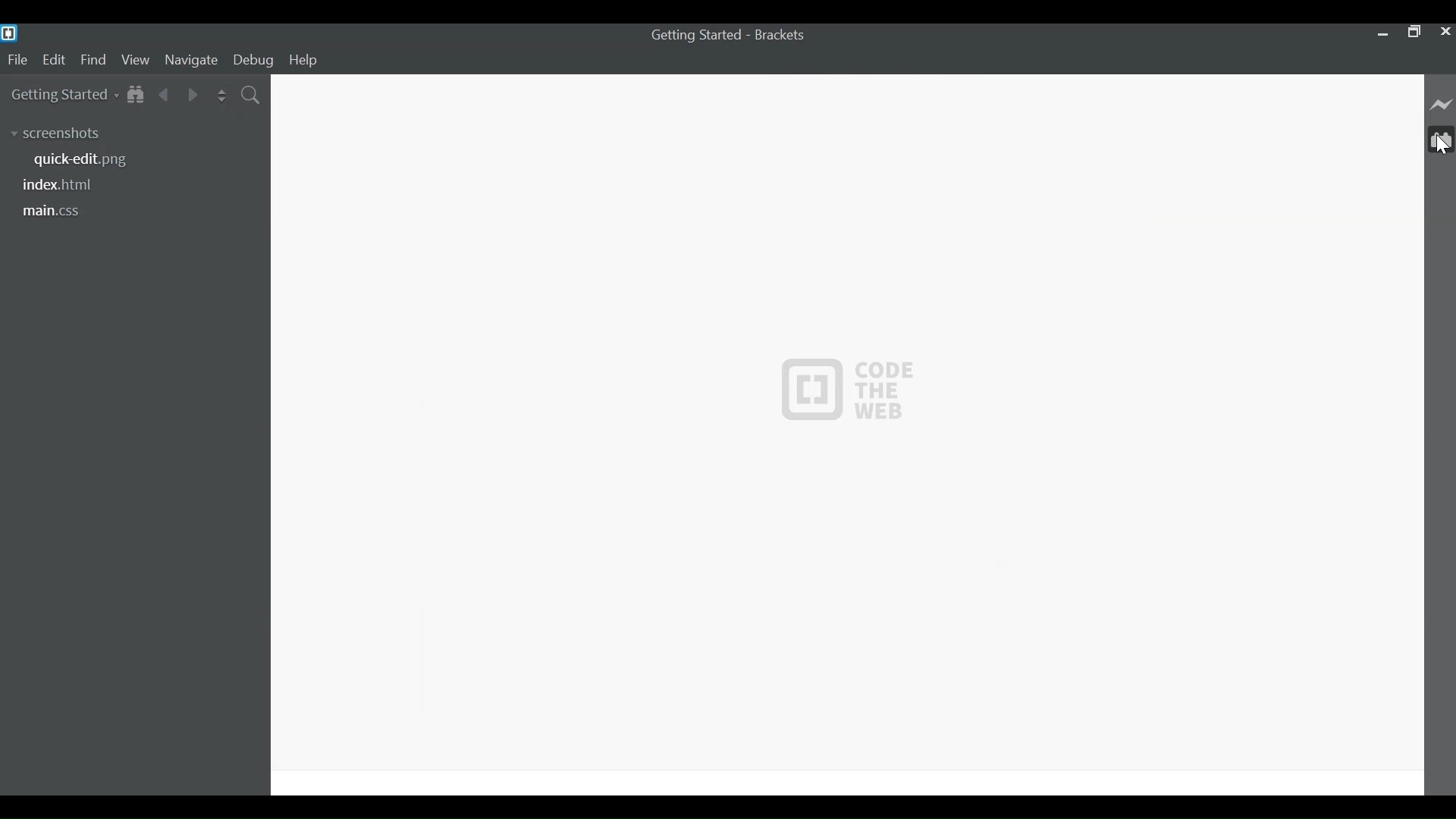  Describe the element at coordinates (221, 96) in the screenshot. I see `Split the Editor Vertically or Horizontally` at that location.